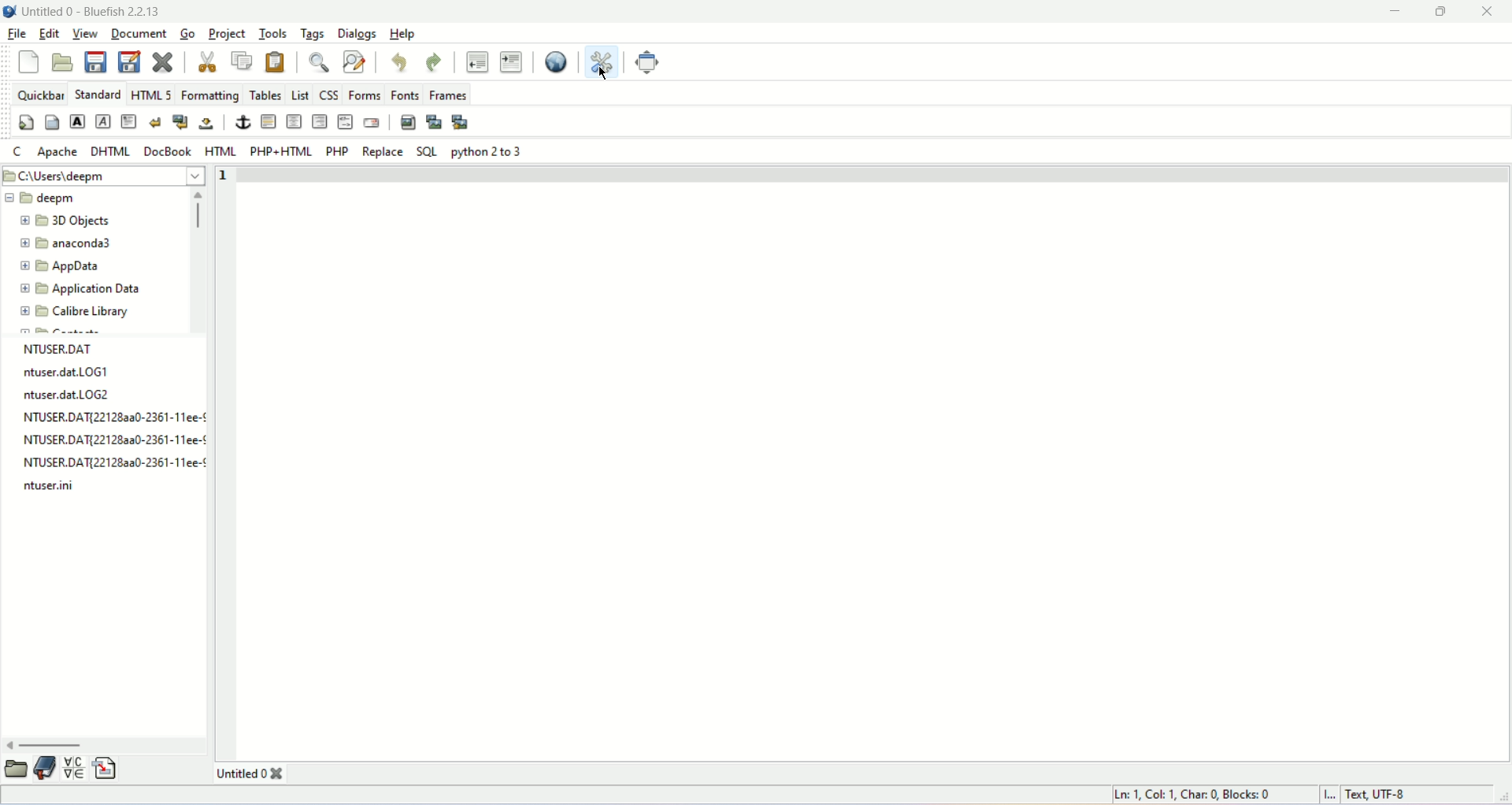 The width and height of the screenshot is (1512, 805). Describe the element at coordinates (607, 74) in the screenshot. I see `cursor` at that location.